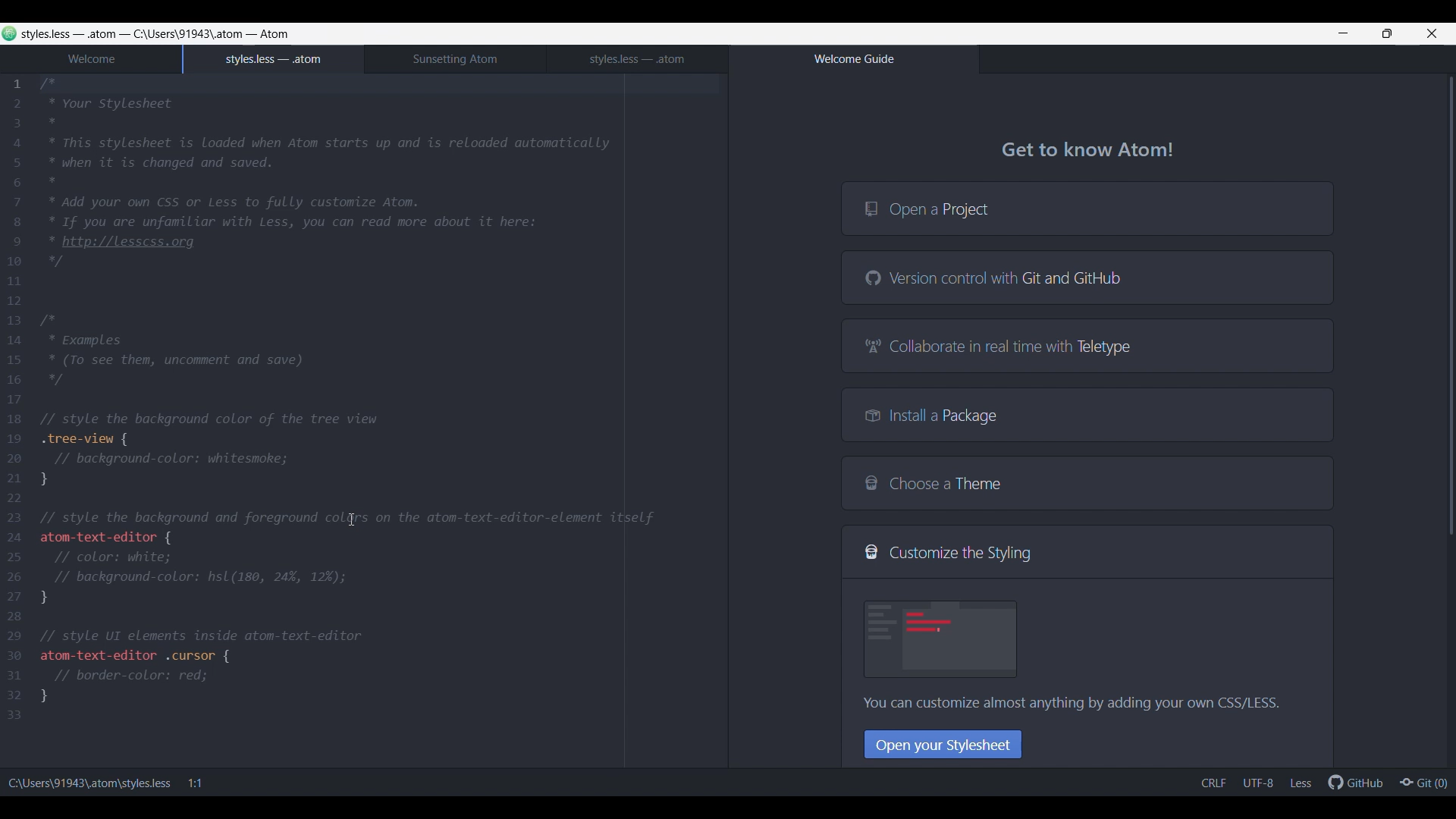 This screenshot has width=1456, height=819. I want to click on image, so click(942, 639).